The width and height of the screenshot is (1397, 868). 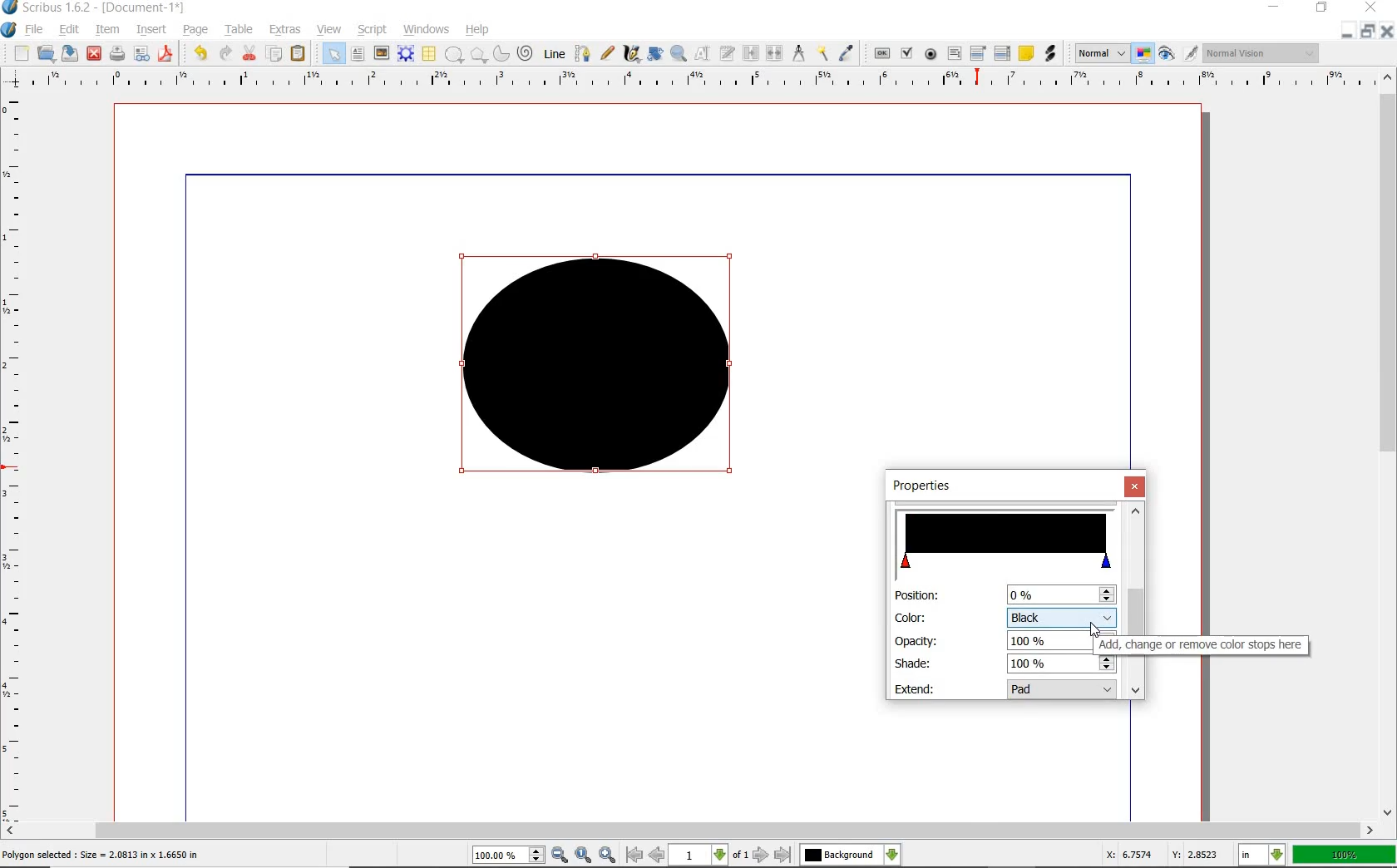 What do you see at coordinates (702, 52) in the screenshot?
I see `EDIT CONTENTS OF FRAME` at bounding box center [702, 52].